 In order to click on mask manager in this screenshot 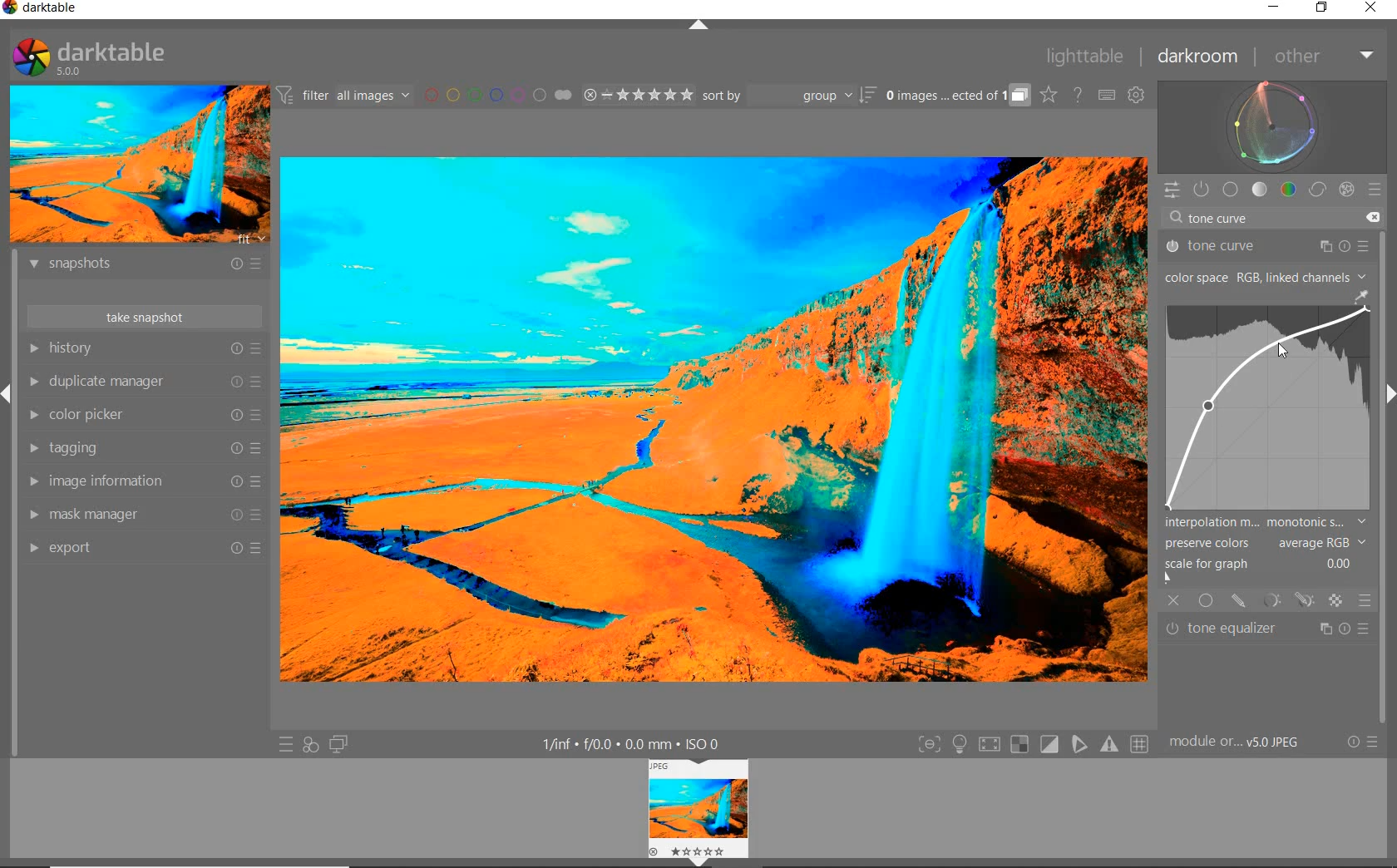, I will do `click(146, 515)`.